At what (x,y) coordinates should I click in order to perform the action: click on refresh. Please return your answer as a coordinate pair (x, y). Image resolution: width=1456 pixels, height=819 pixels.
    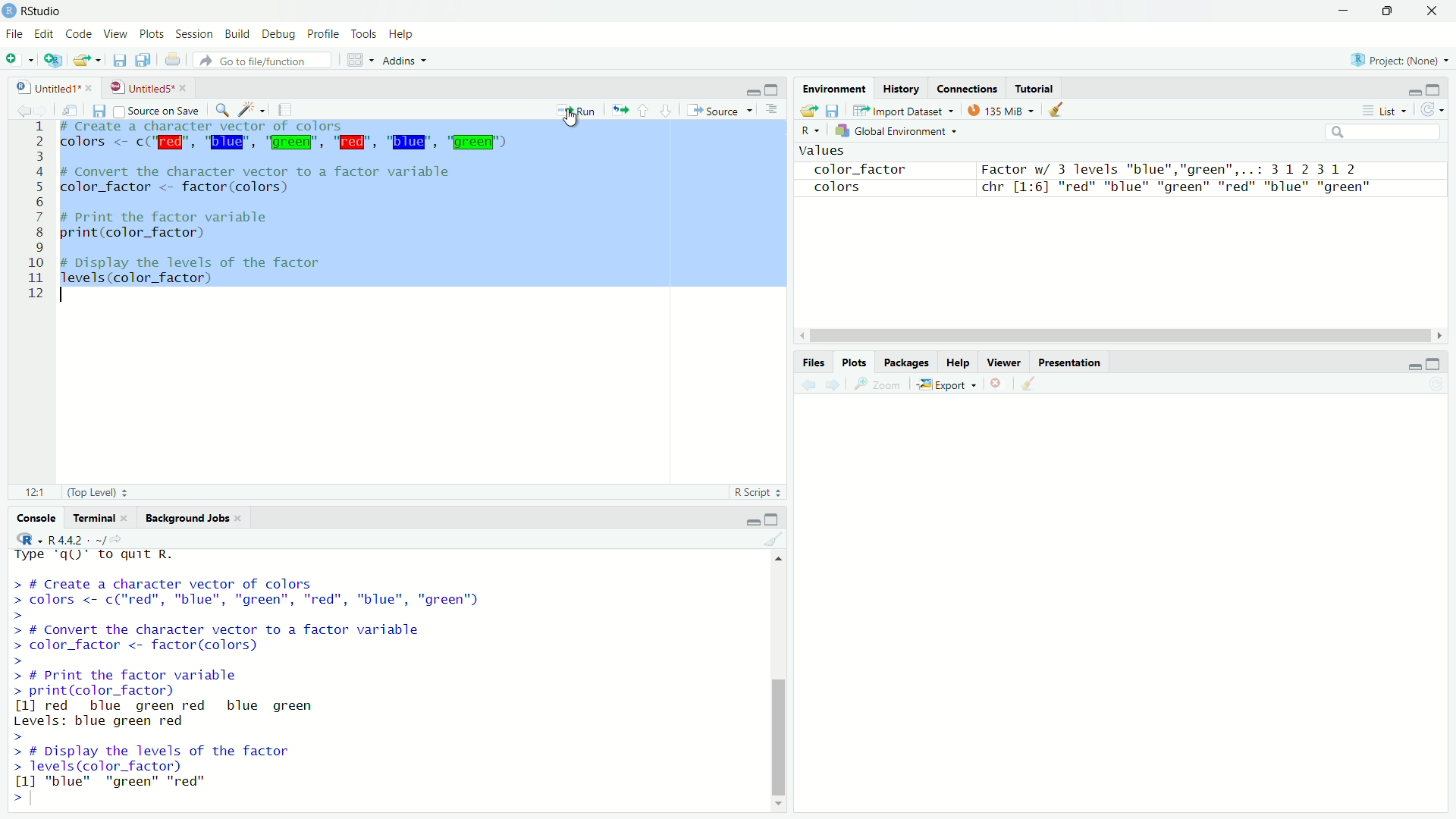
    Looking at the image, I should click on (1437, 108).